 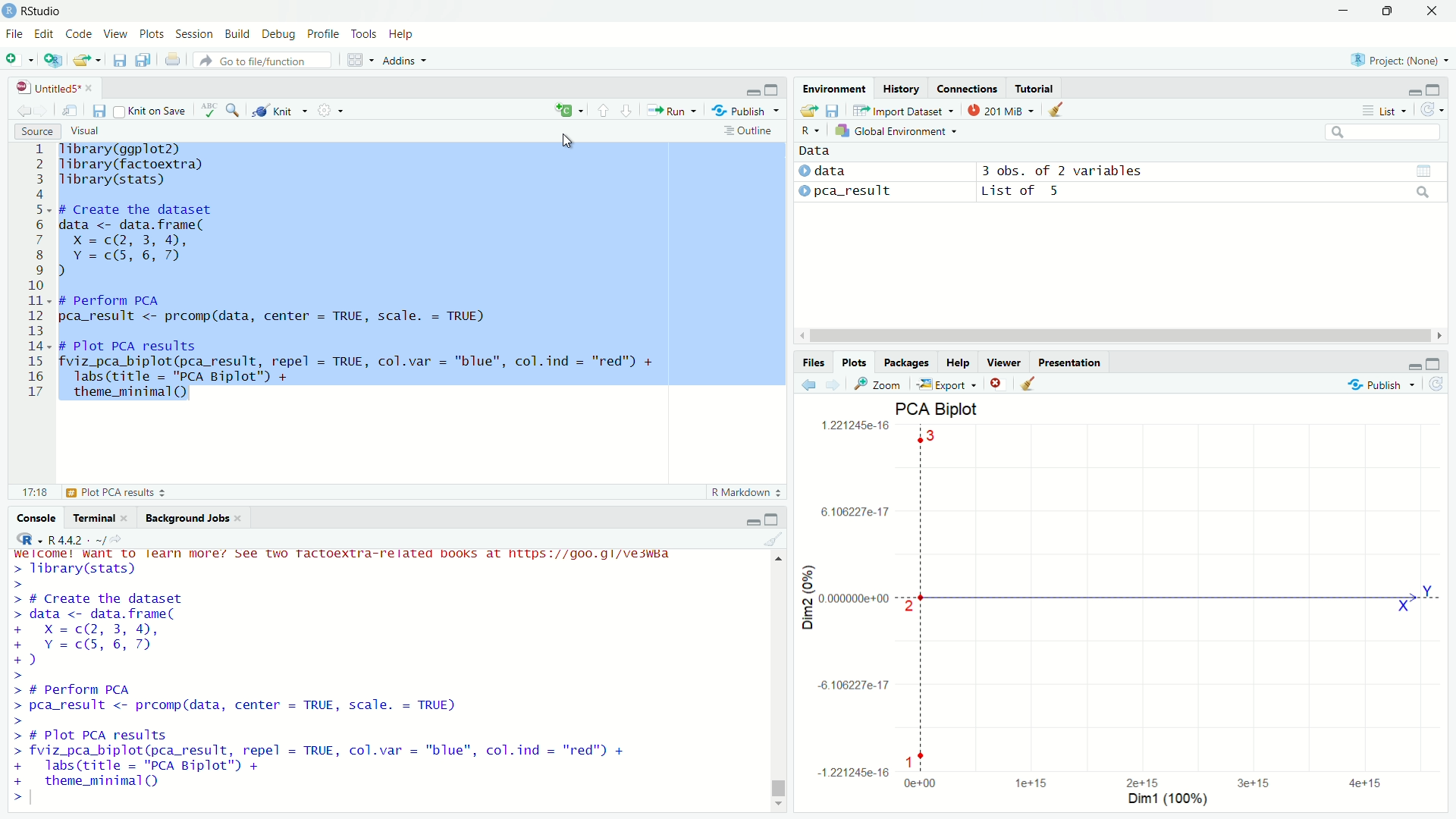 I want to click on publish, so click(x=1382, y=382).